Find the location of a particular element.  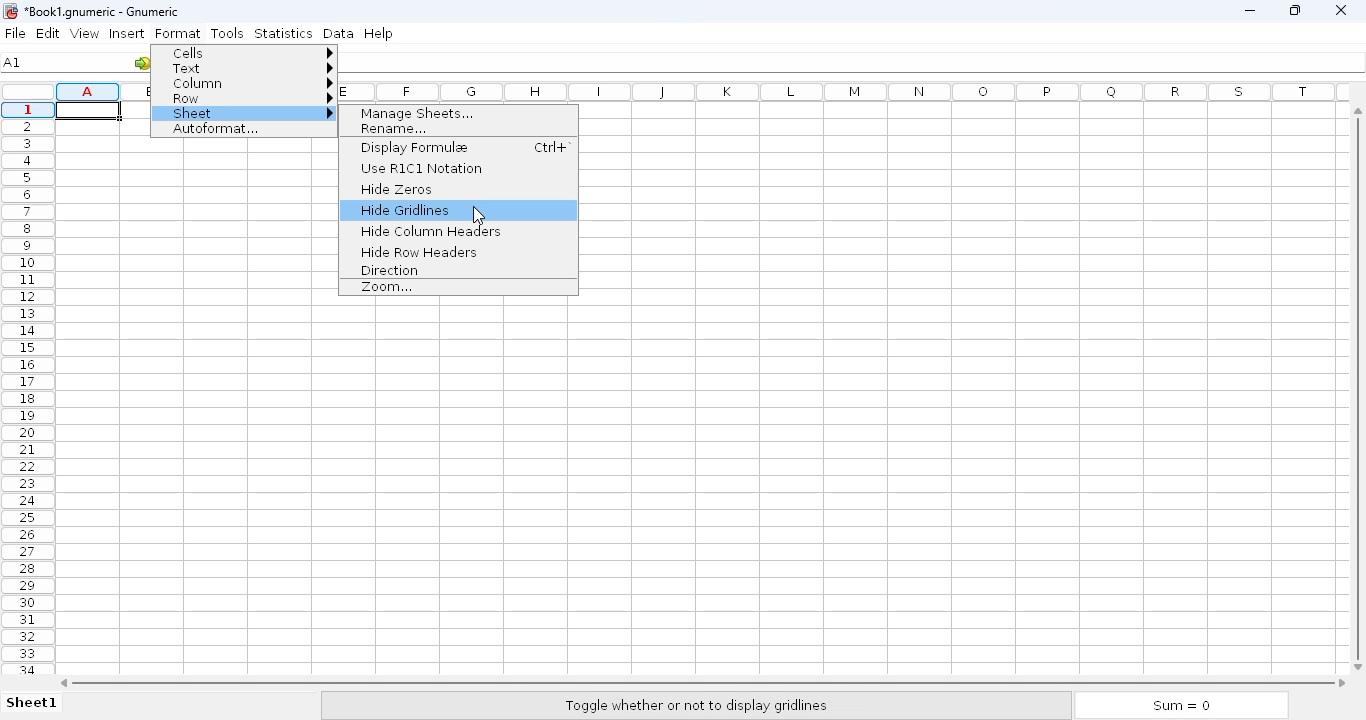

help is located at coordinates (378, 33).